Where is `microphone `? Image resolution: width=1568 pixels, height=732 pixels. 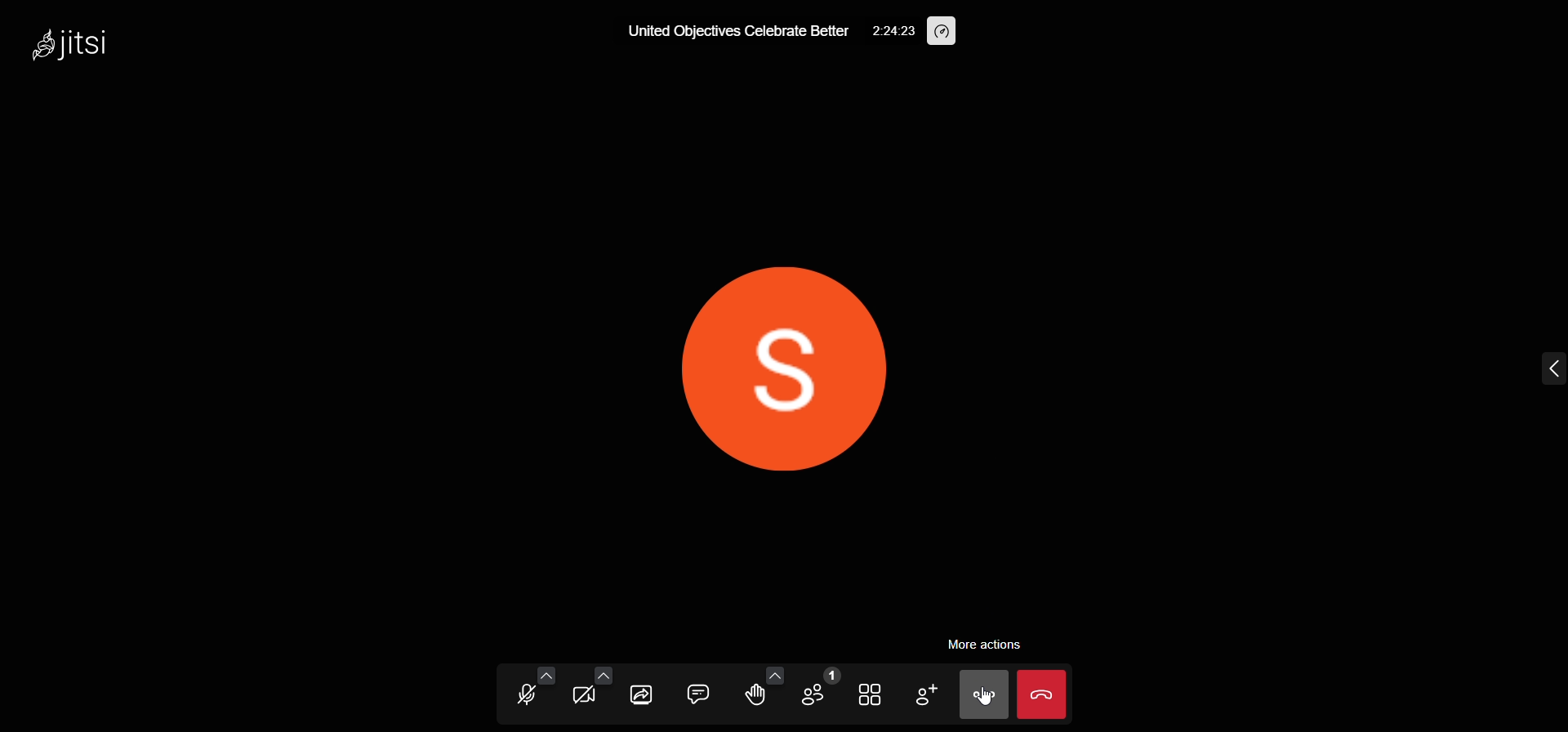
microphone  is located at coordinates (528, 698).